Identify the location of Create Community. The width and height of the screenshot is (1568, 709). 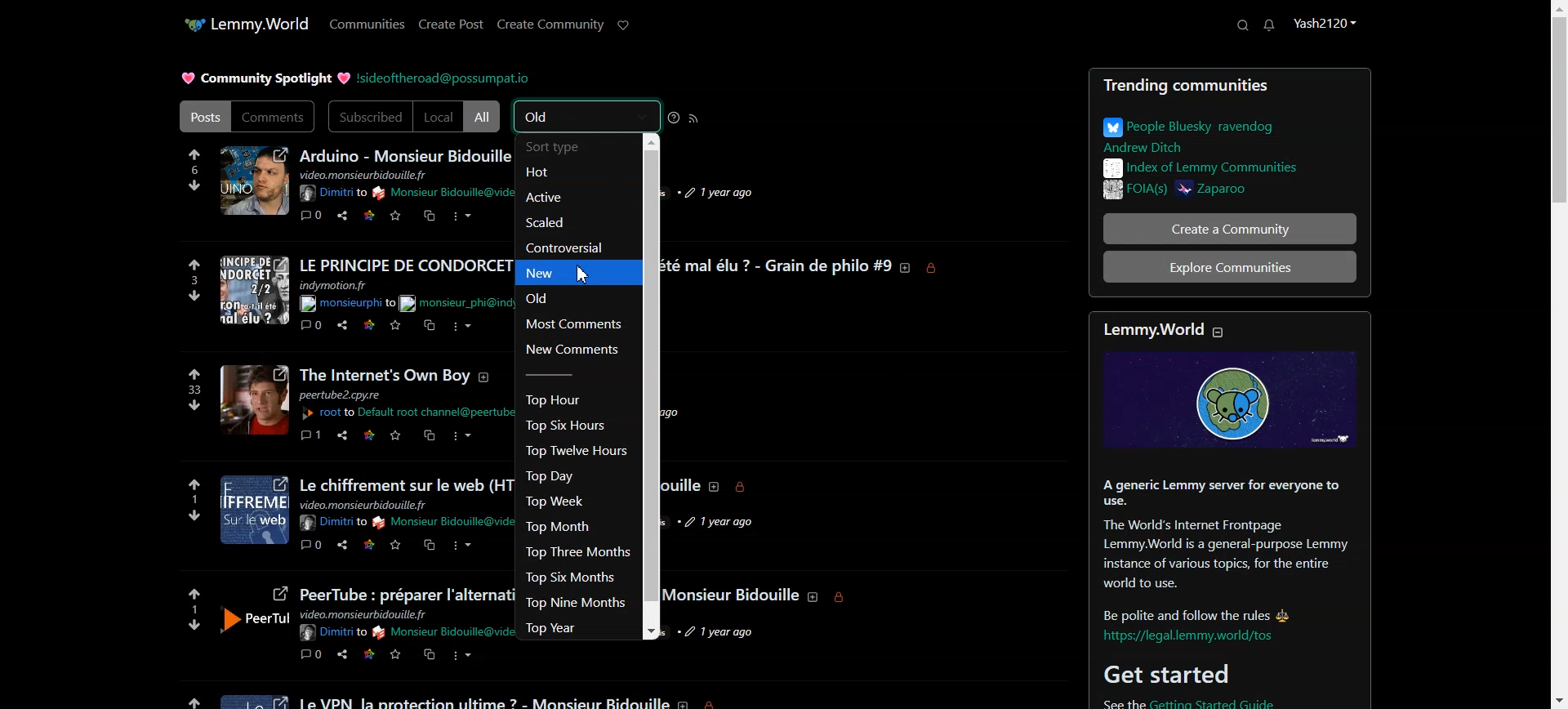
(550, 26).